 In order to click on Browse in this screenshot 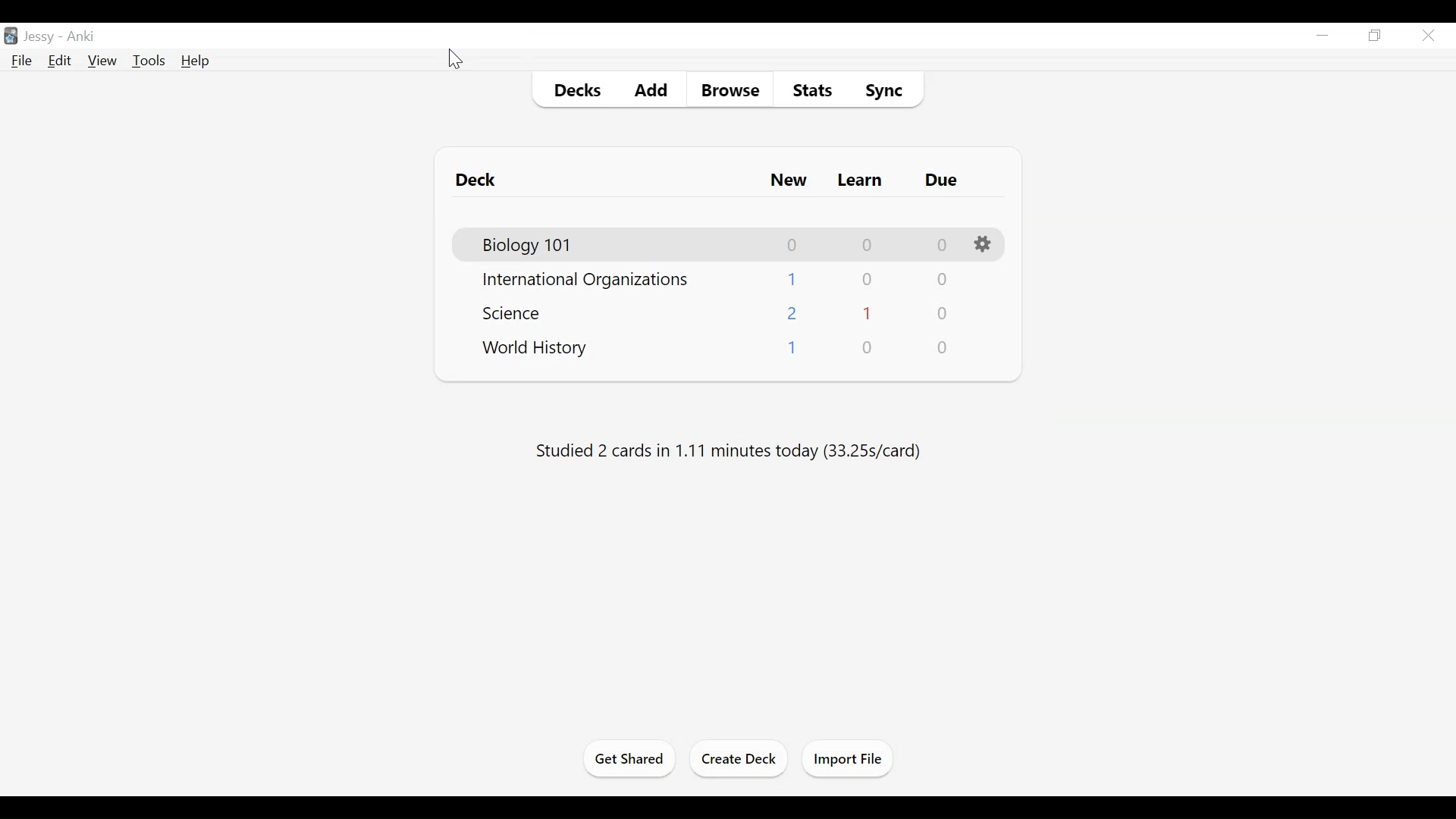, I will do `click(730, 90)`.